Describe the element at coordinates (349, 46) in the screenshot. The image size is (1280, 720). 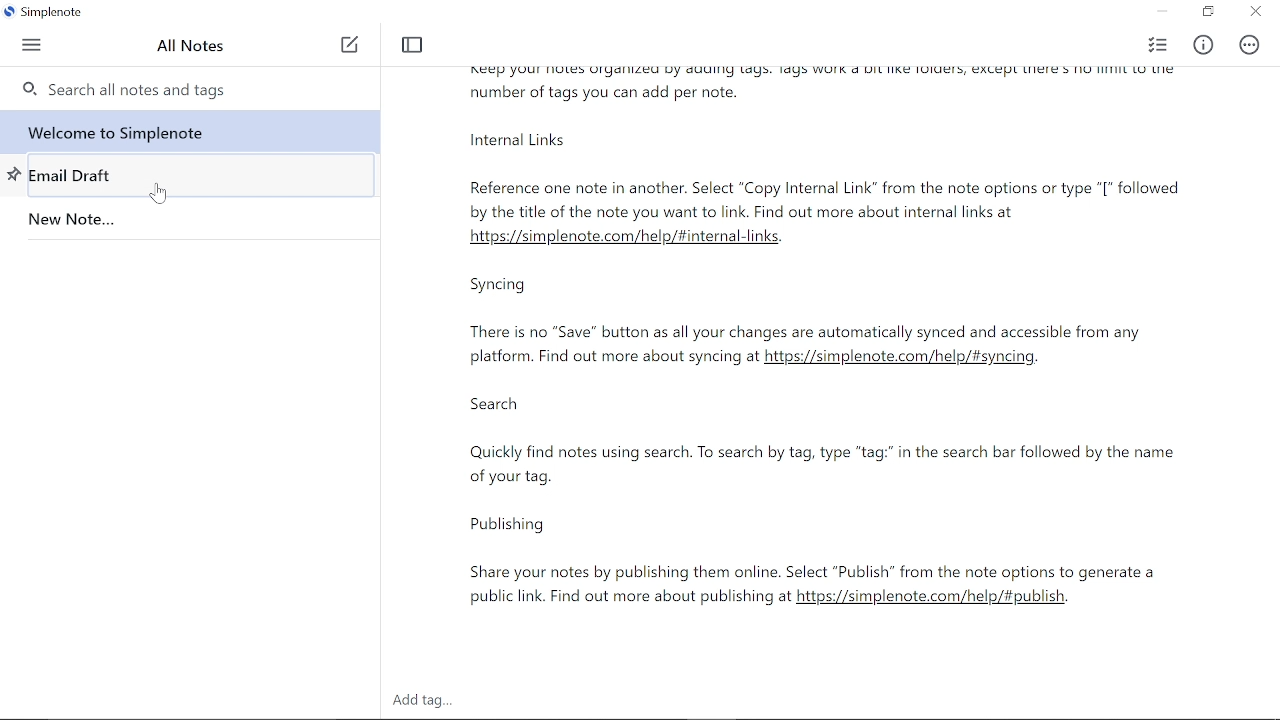
I see `Add note` at that location.